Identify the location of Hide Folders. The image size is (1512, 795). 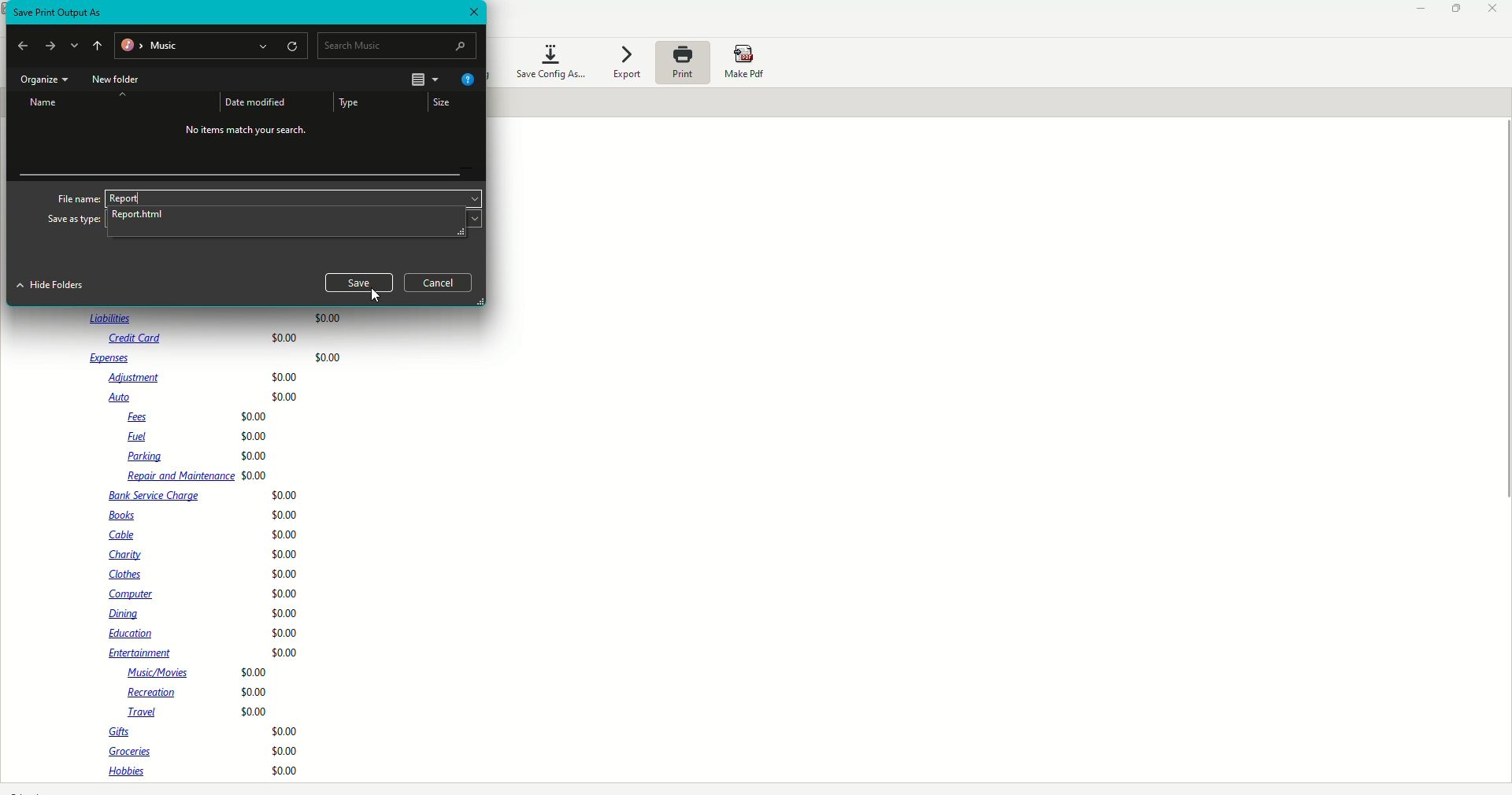
(50, 286).